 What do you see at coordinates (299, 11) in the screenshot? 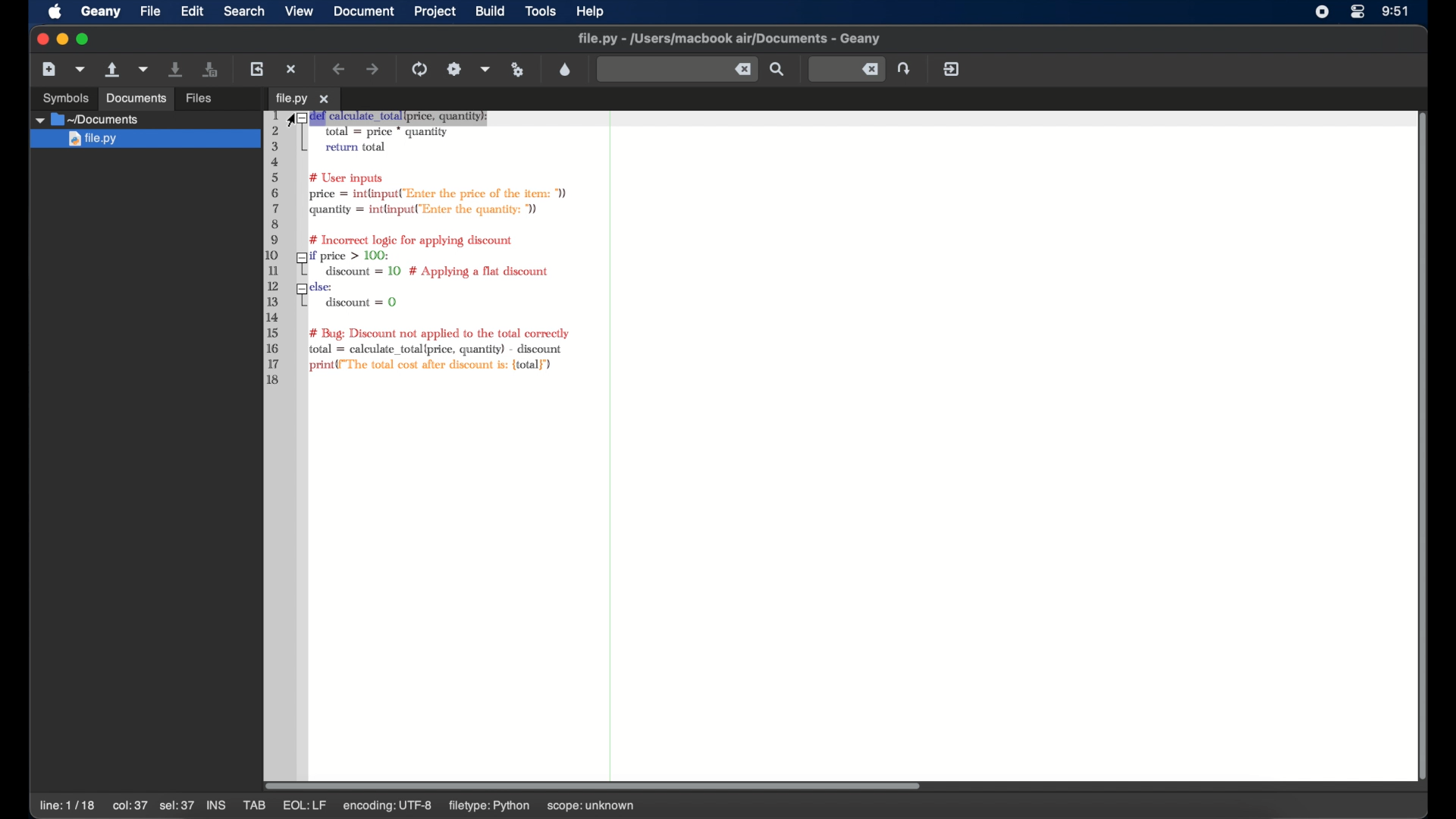
I see `view` at bounding box center [299, 11].